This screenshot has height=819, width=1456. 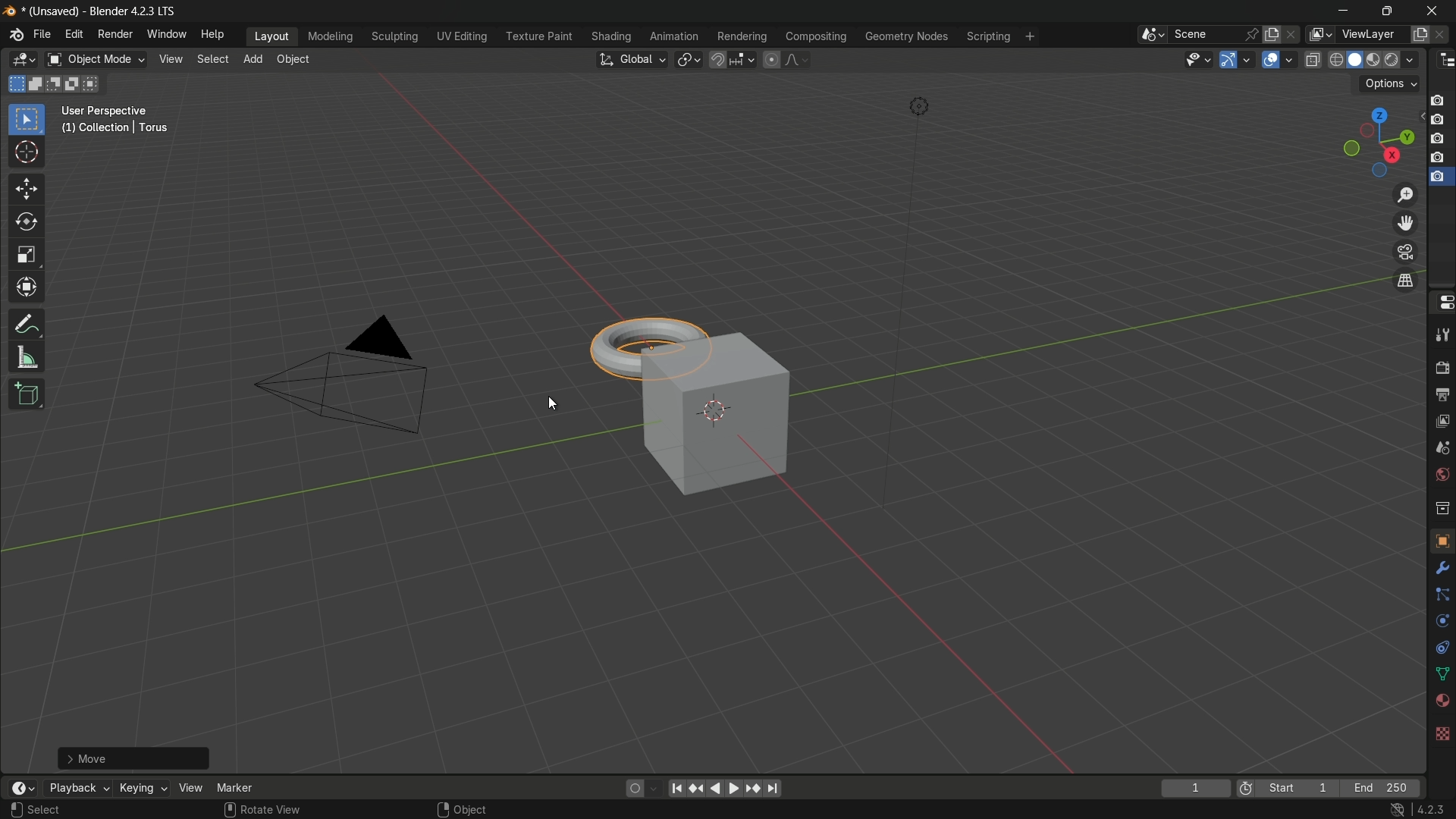 I want to click on wireframe, so click(x=1336, y=59).